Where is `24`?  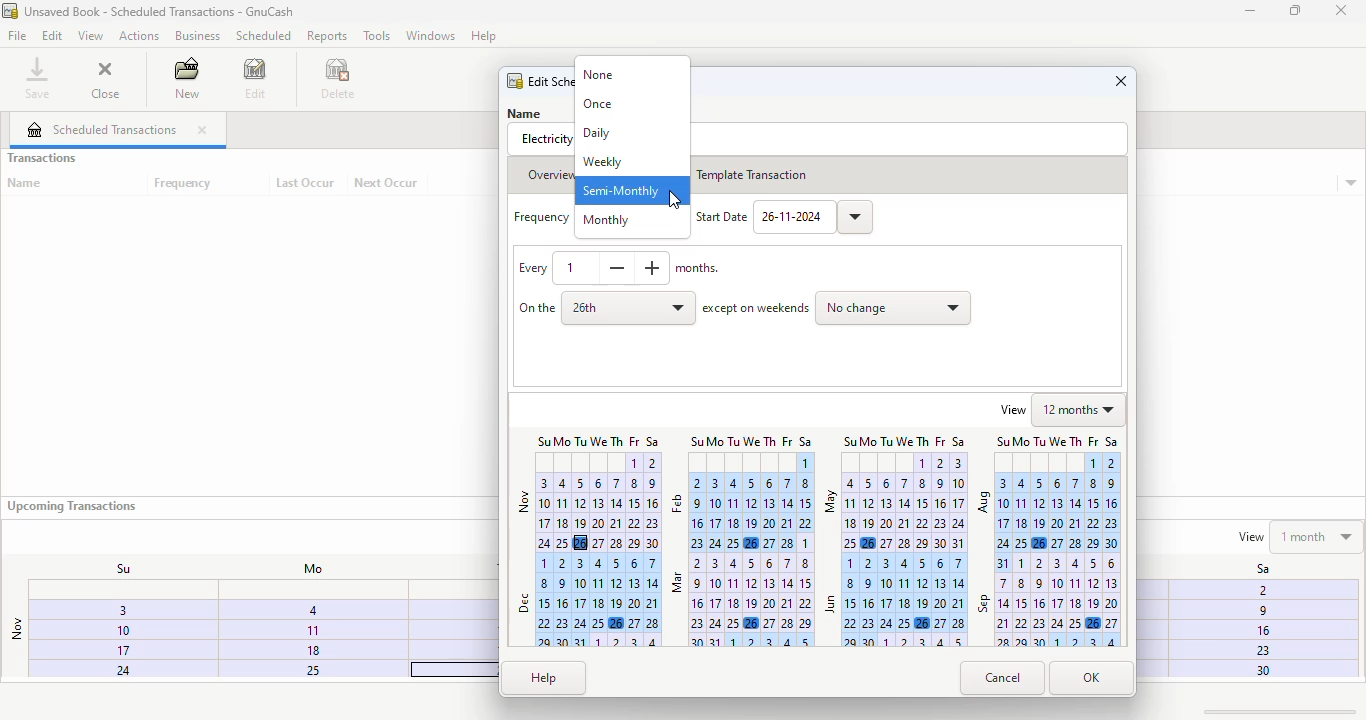
24 is located at coordinates (103, 671).